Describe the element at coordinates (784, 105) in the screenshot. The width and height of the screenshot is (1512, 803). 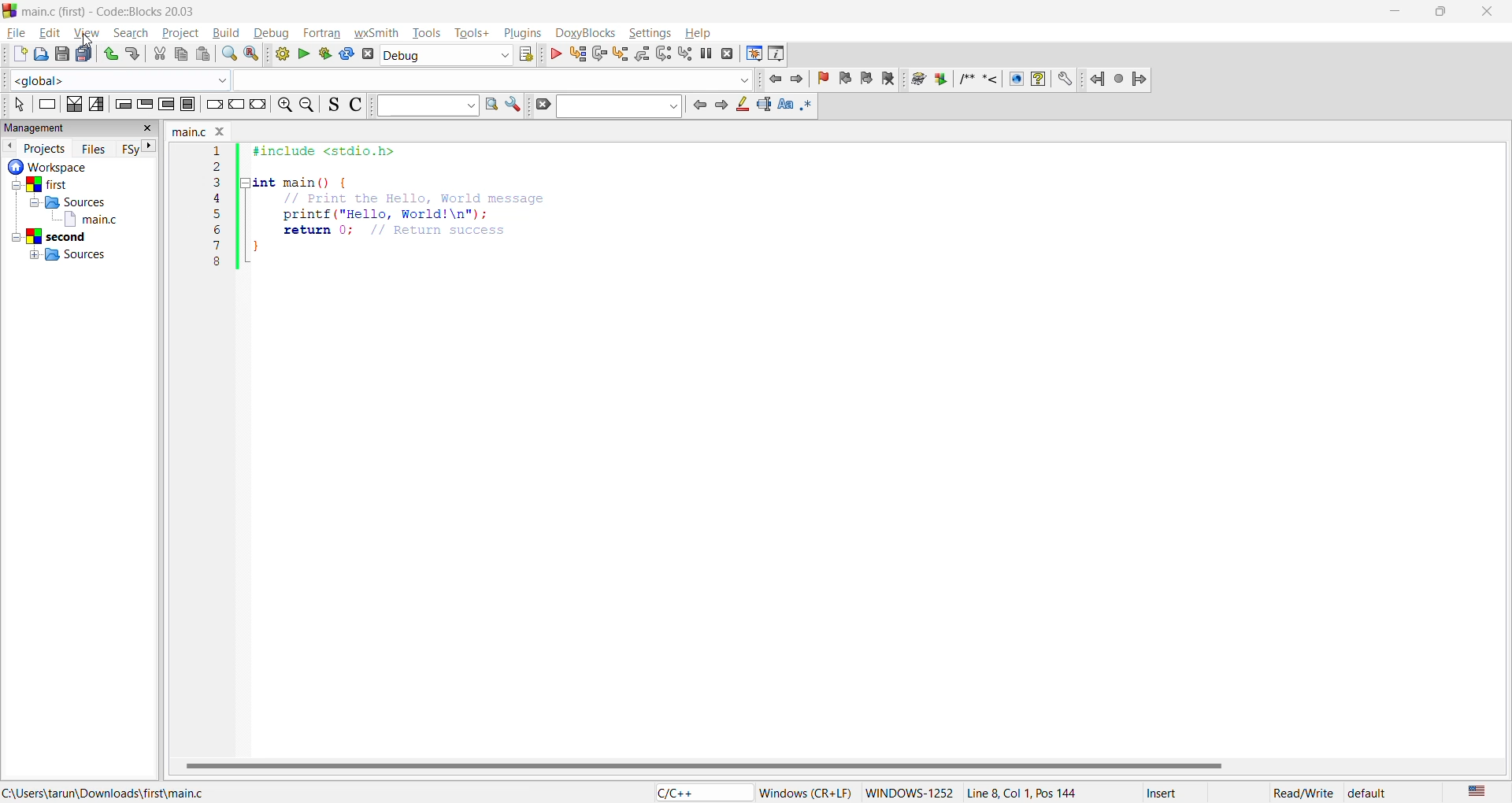
I see `match case` at that location.